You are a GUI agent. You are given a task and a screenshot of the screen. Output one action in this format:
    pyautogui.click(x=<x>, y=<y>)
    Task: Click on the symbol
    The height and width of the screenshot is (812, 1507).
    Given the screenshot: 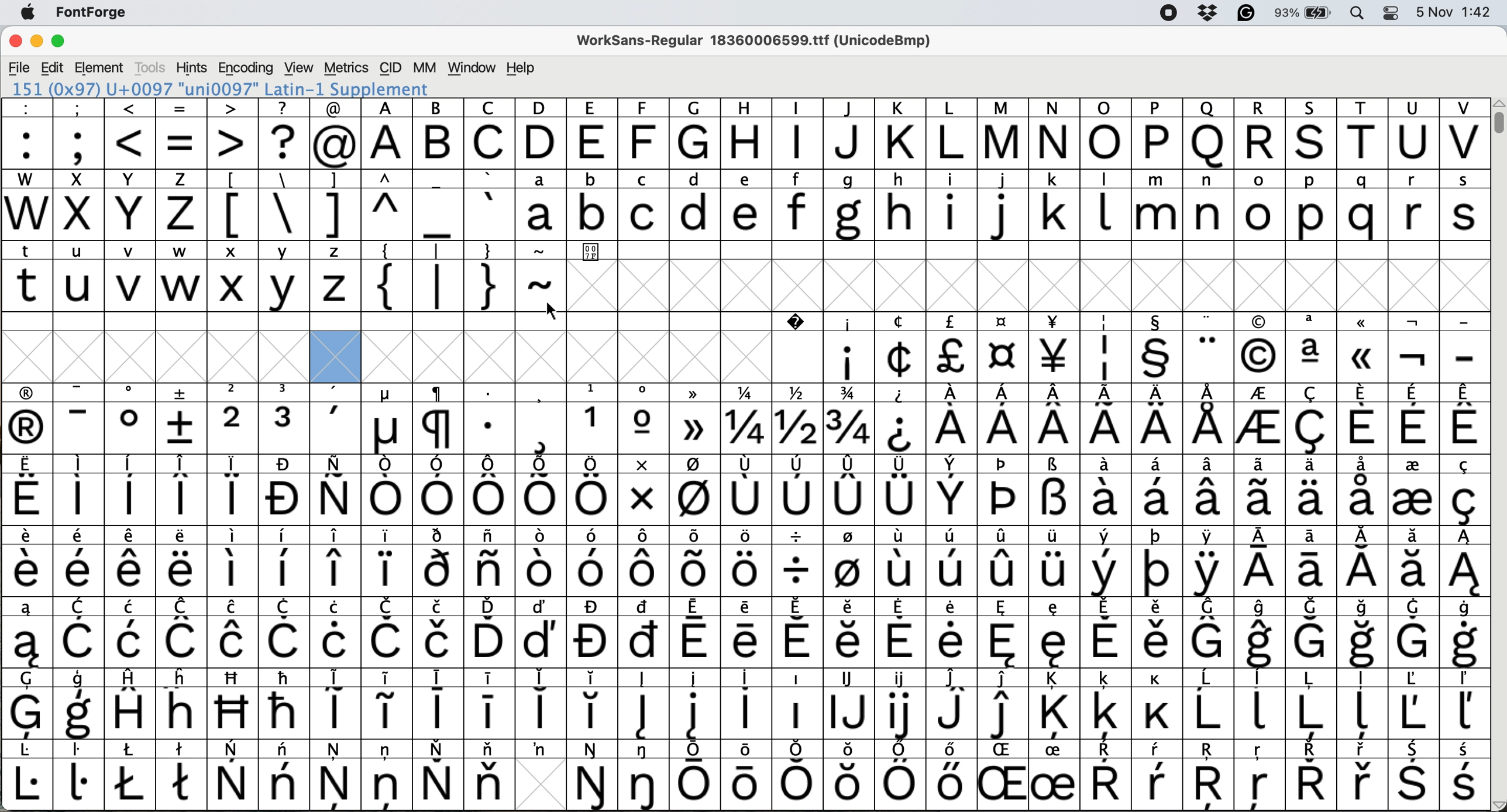 What is the action you would take?
    pyautogui.click(x=387, y=702)
    